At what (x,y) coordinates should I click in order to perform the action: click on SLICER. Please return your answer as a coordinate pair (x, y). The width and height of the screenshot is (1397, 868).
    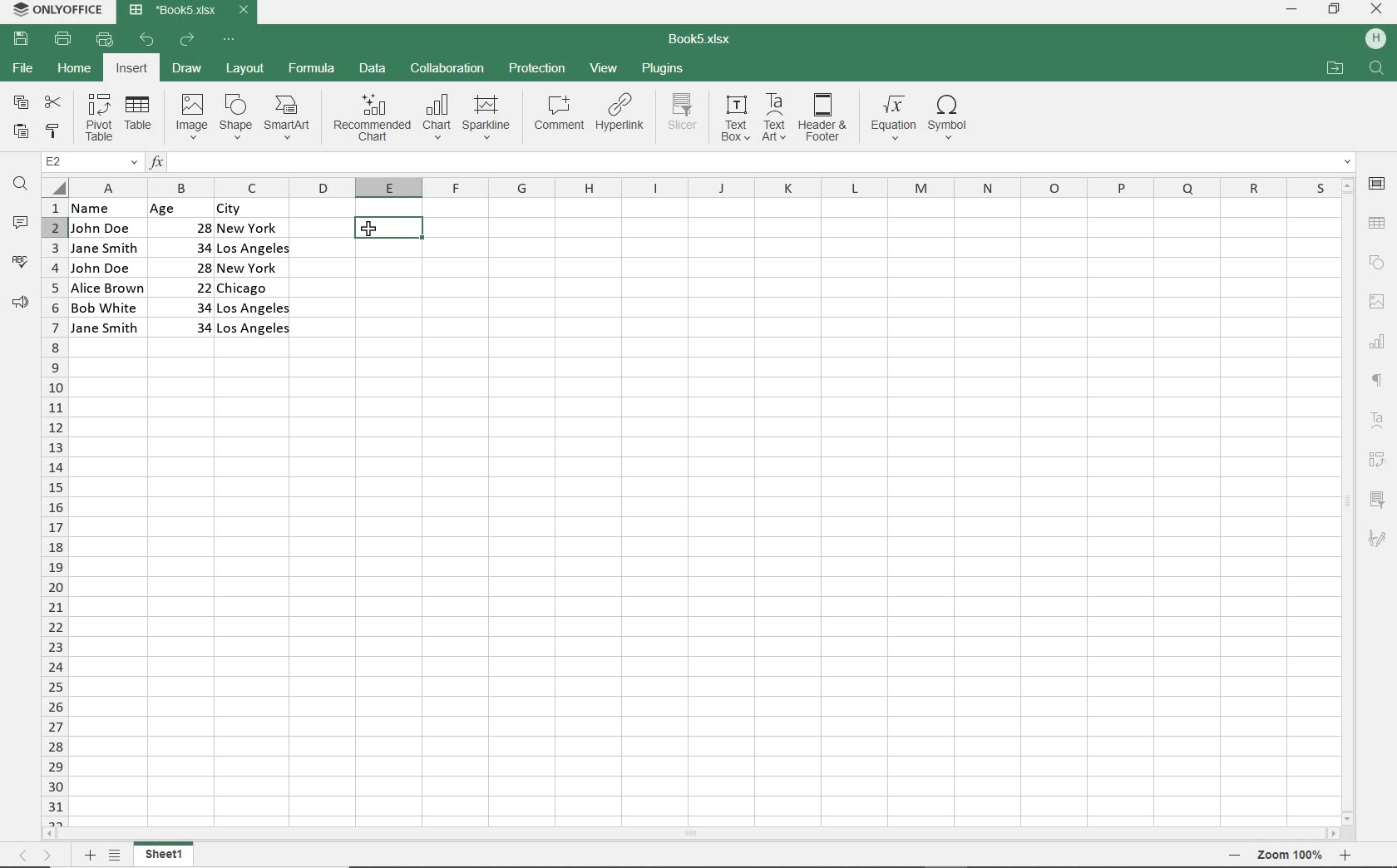
    Looking at the image, I should click on (684, 119).